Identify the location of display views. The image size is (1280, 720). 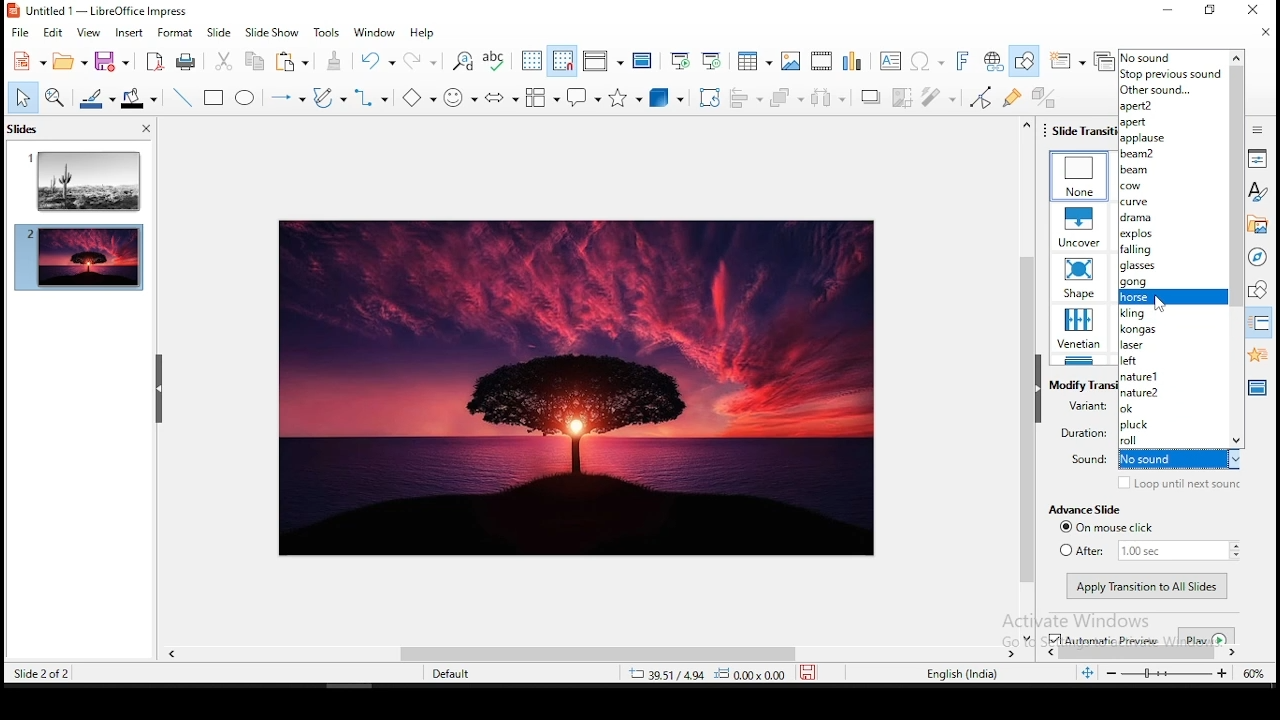
(602, 61).